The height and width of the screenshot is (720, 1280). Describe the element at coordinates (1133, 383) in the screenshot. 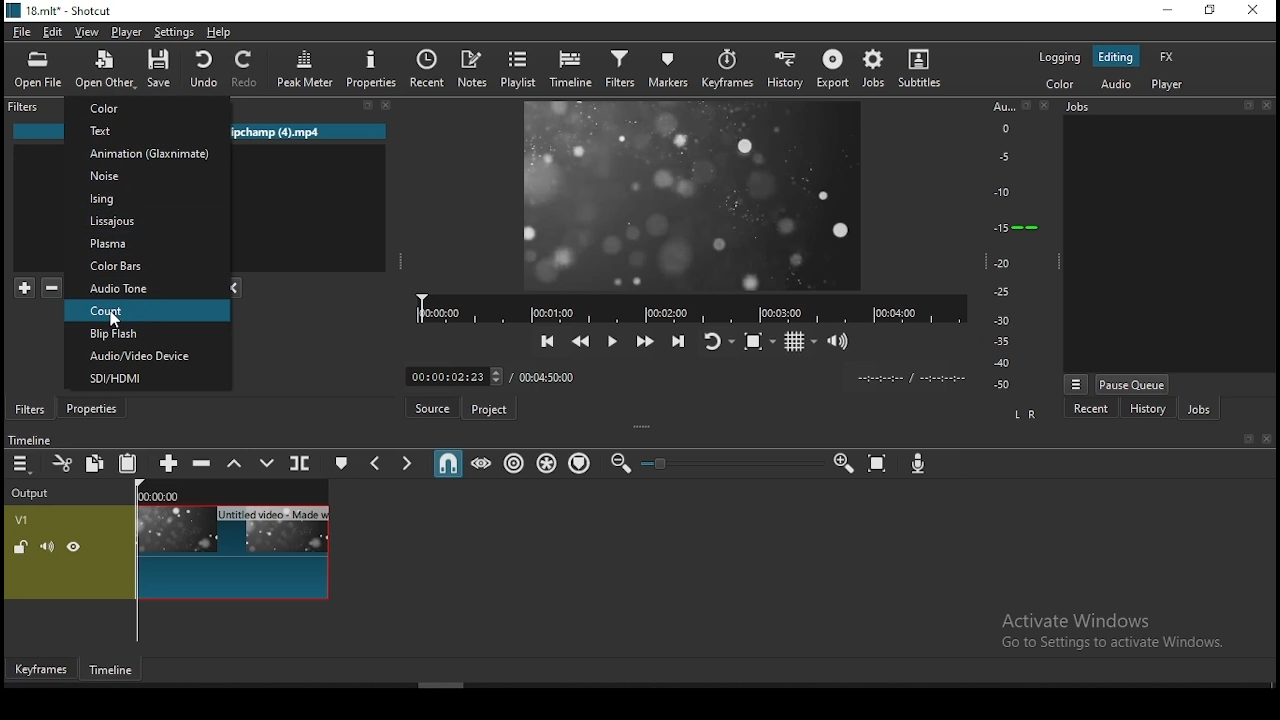

I see `pause queue` at that location.